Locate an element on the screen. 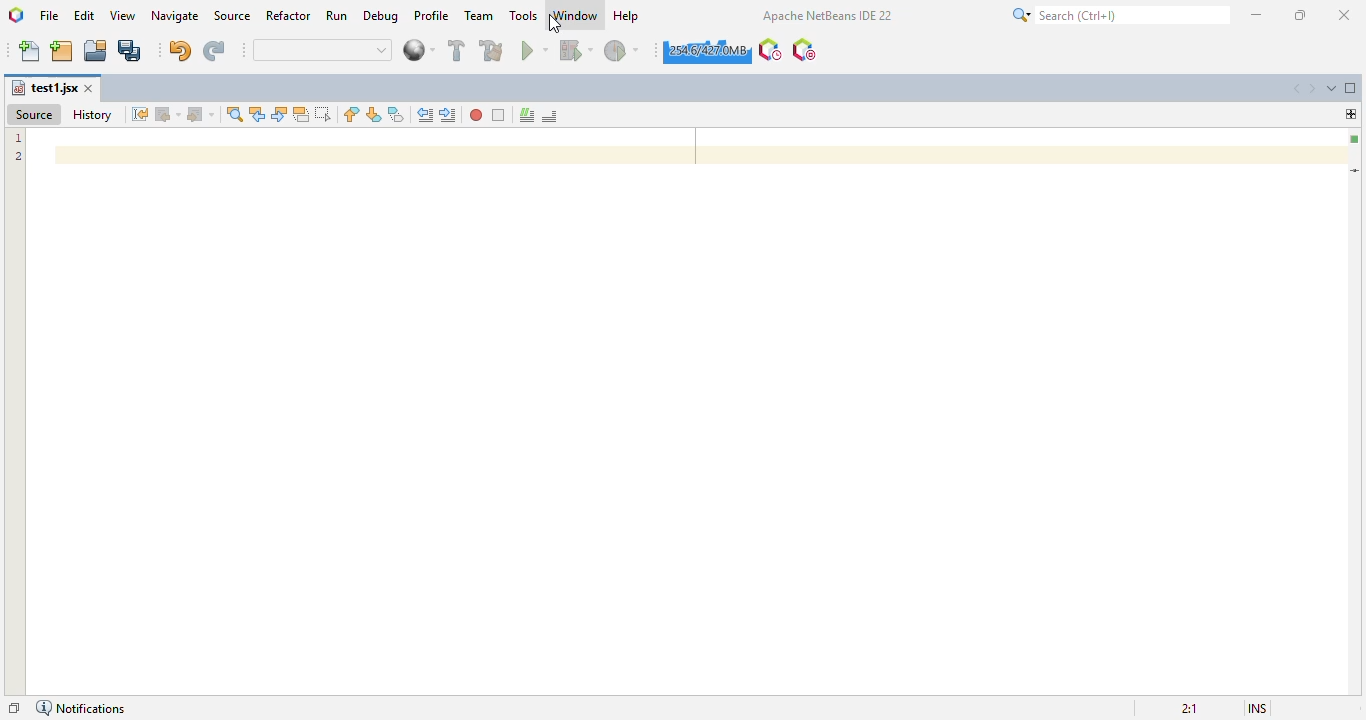 Image resolution: width=1366 pixels, height=720 pixels. current line is located at coordinates (1356, 170).